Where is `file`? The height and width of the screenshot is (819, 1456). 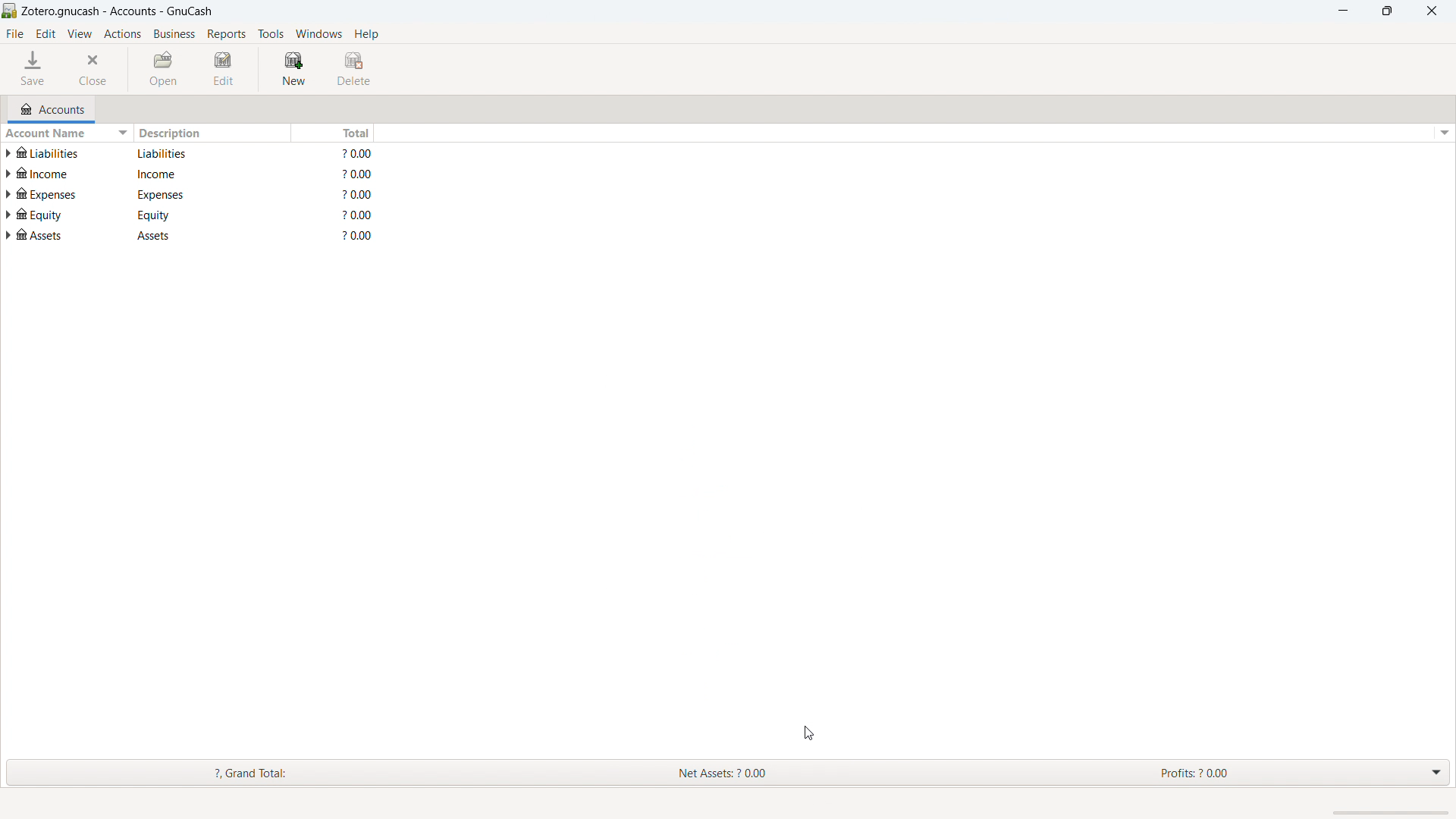 file is located at coordinates (14, 34).